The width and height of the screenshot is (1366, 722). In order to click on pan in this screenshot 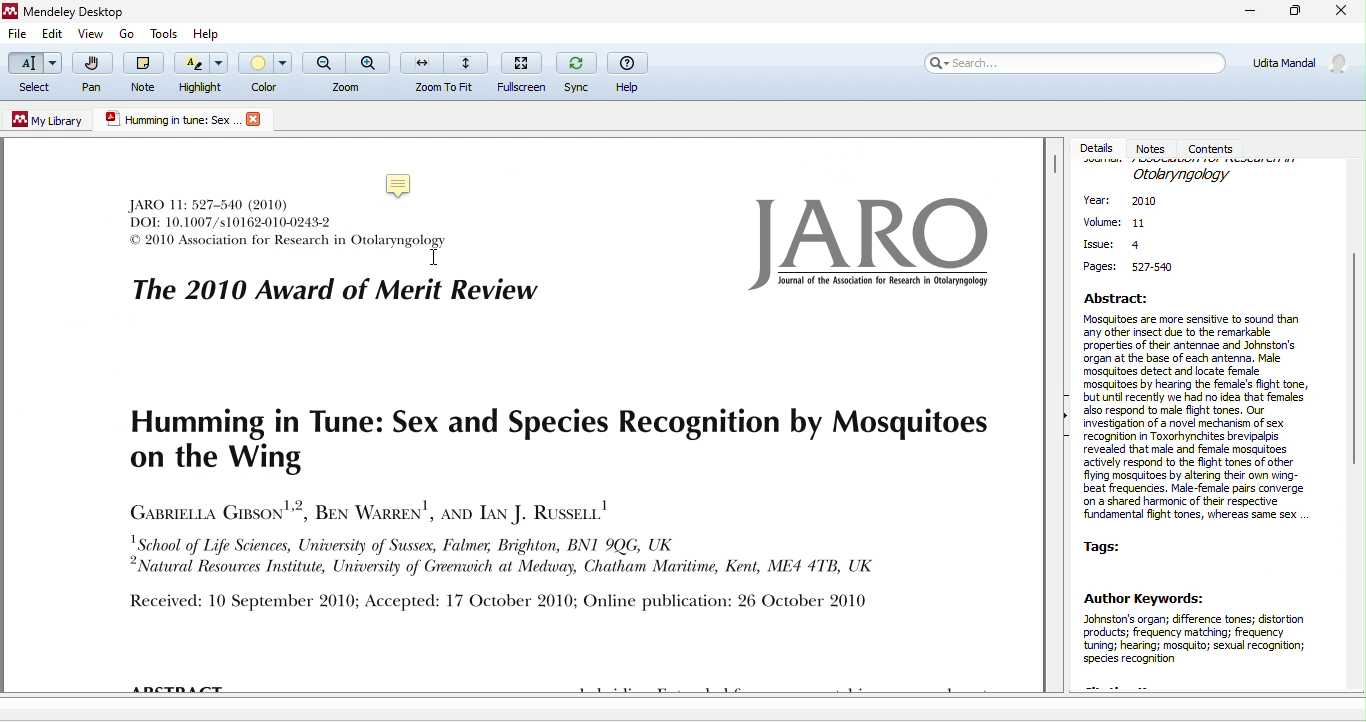, I will do `click(90, 76)`.